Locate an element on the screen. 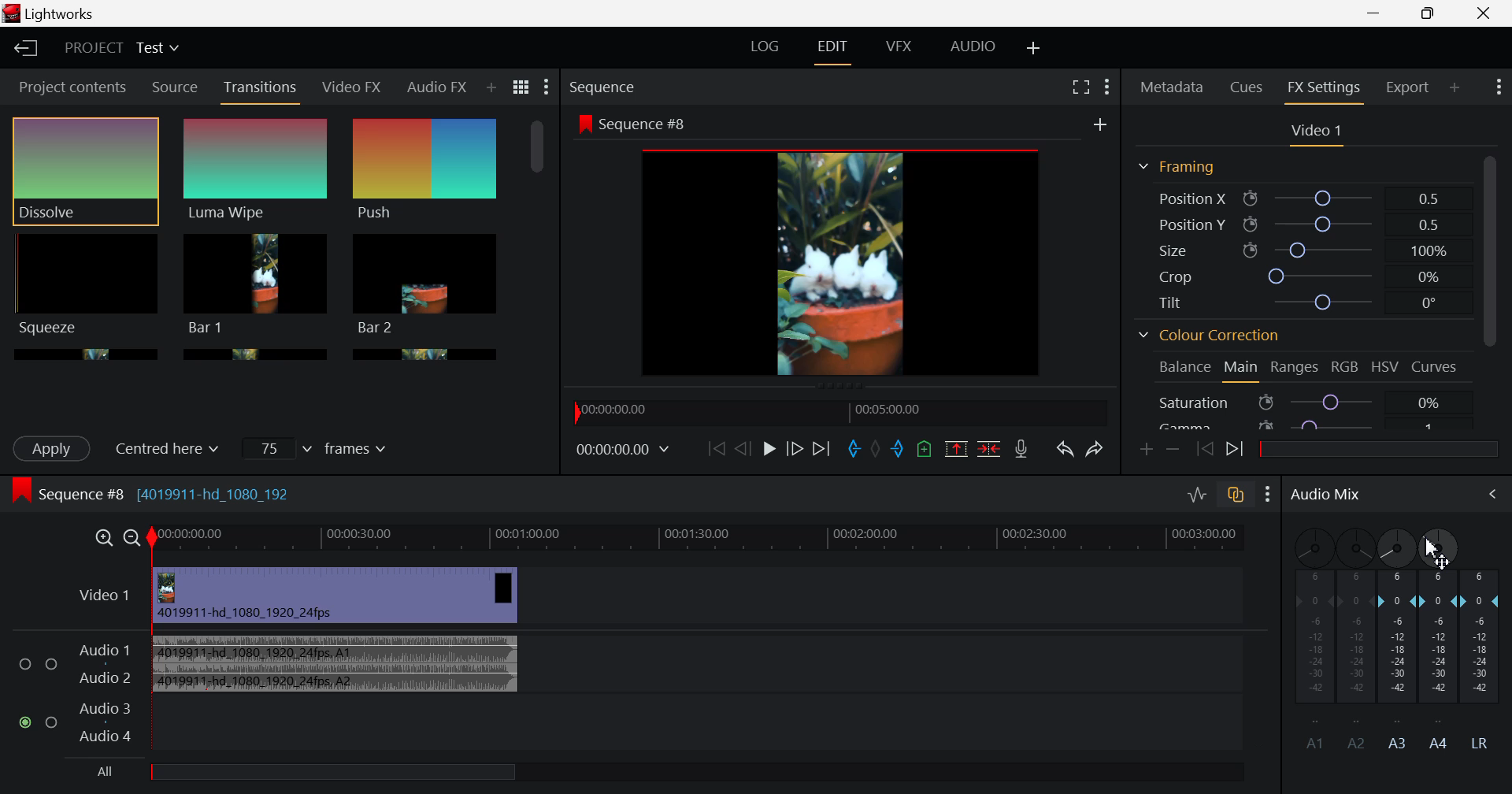 The image size is (1512, 794). Minimize is located at coordinates (1432, 13).